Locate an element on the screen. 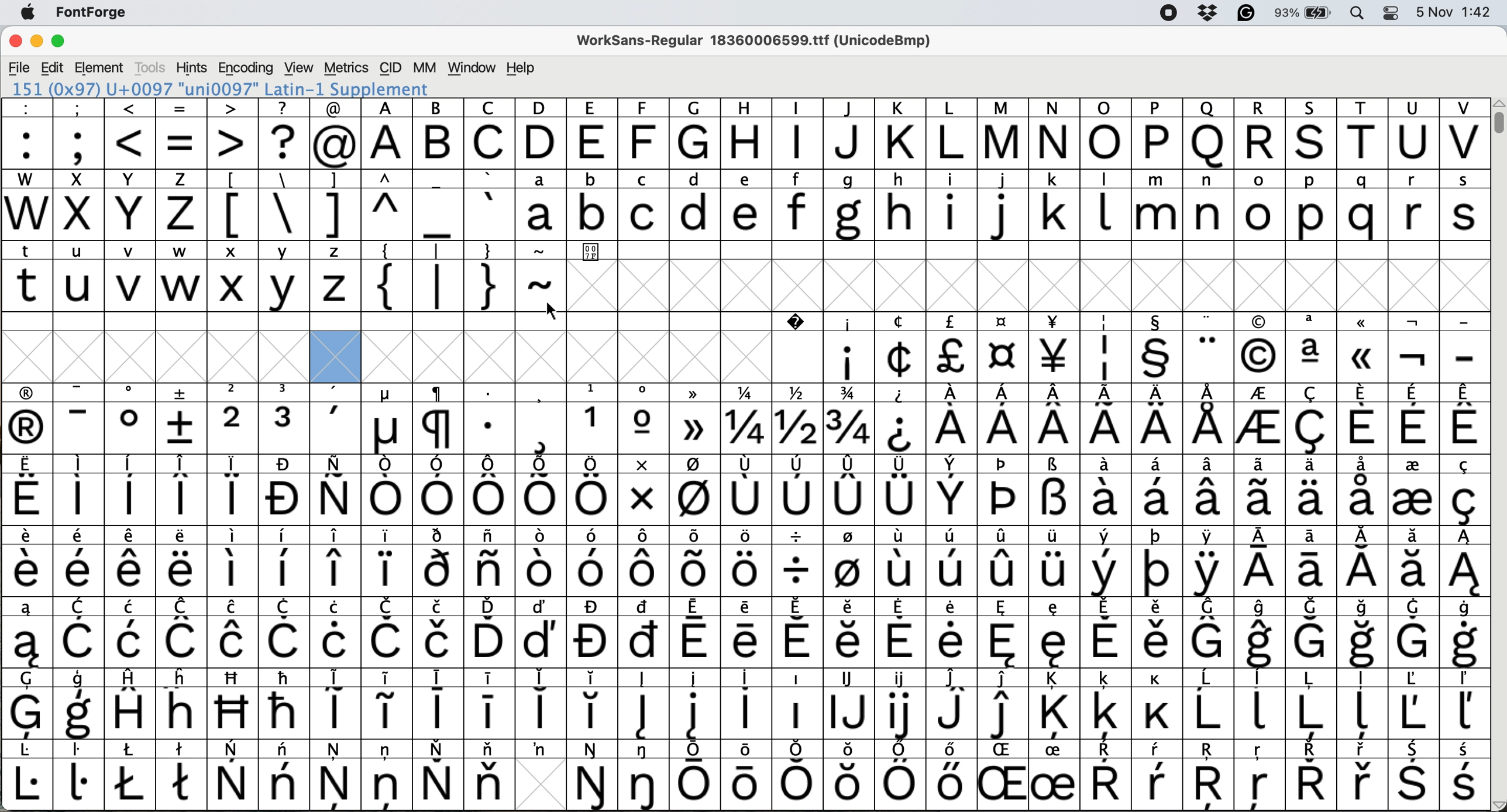 The height and width of the screenshot is (812, 1507). symbol is located at coordinates (1004, 562).